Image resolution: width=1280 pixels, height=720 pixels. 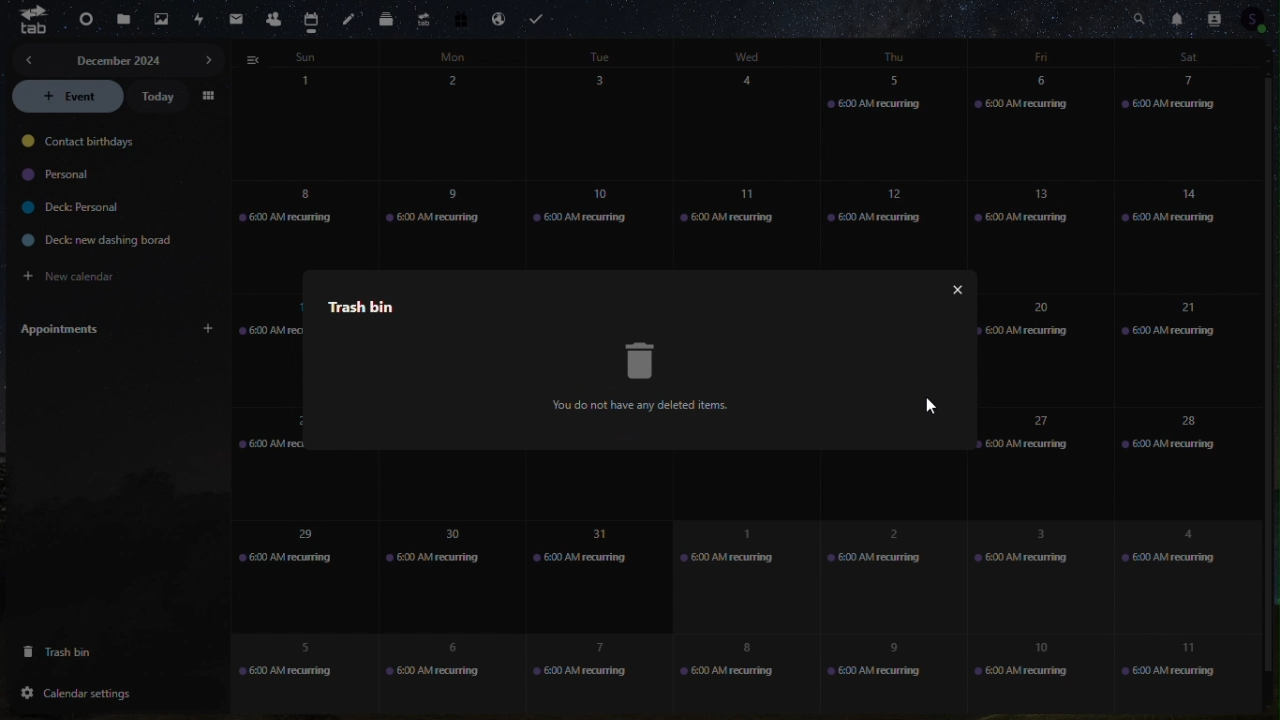 I want to click on 9, so click(x=447, y=211).